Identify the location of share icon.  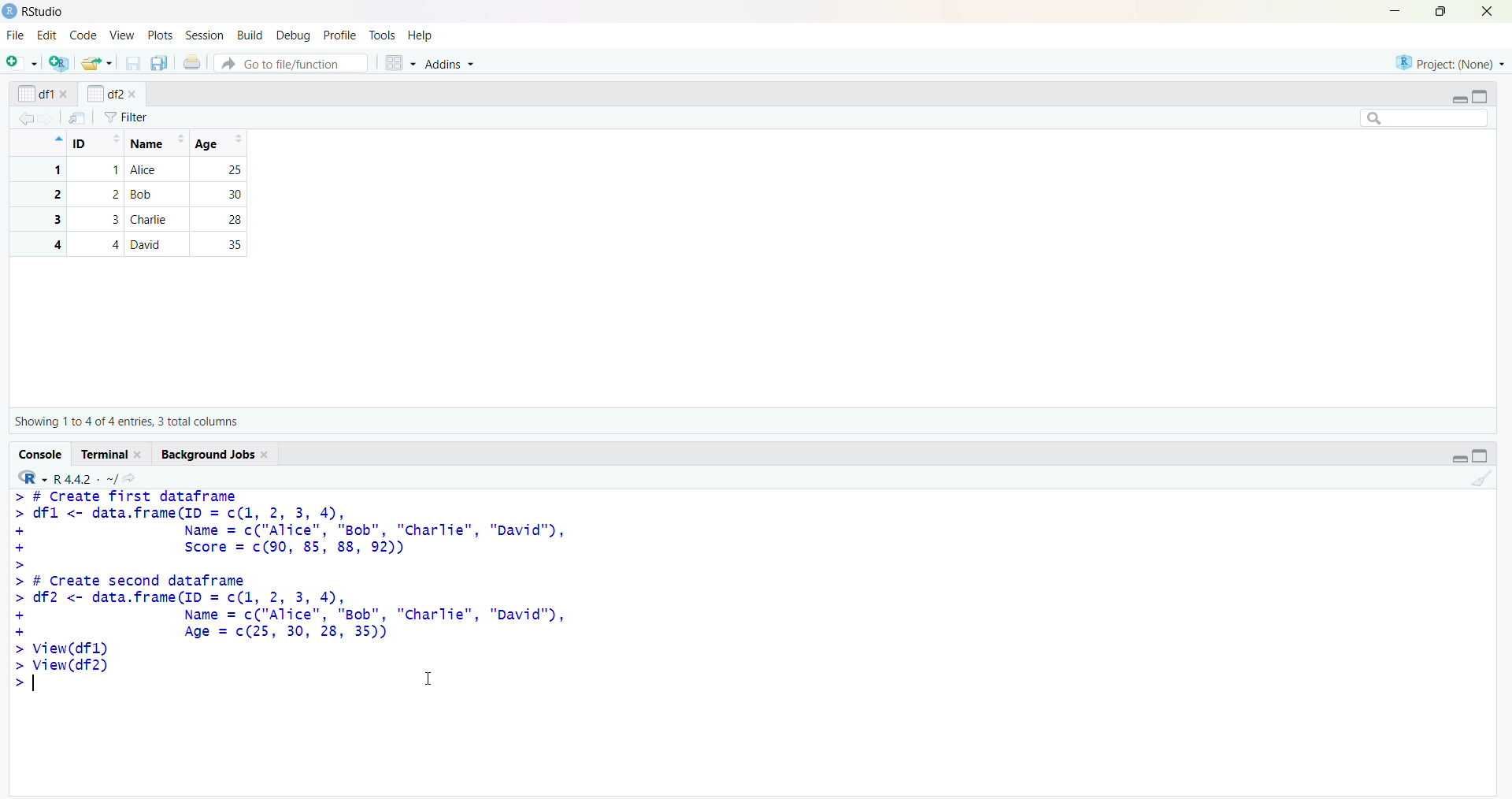
(130, 478).